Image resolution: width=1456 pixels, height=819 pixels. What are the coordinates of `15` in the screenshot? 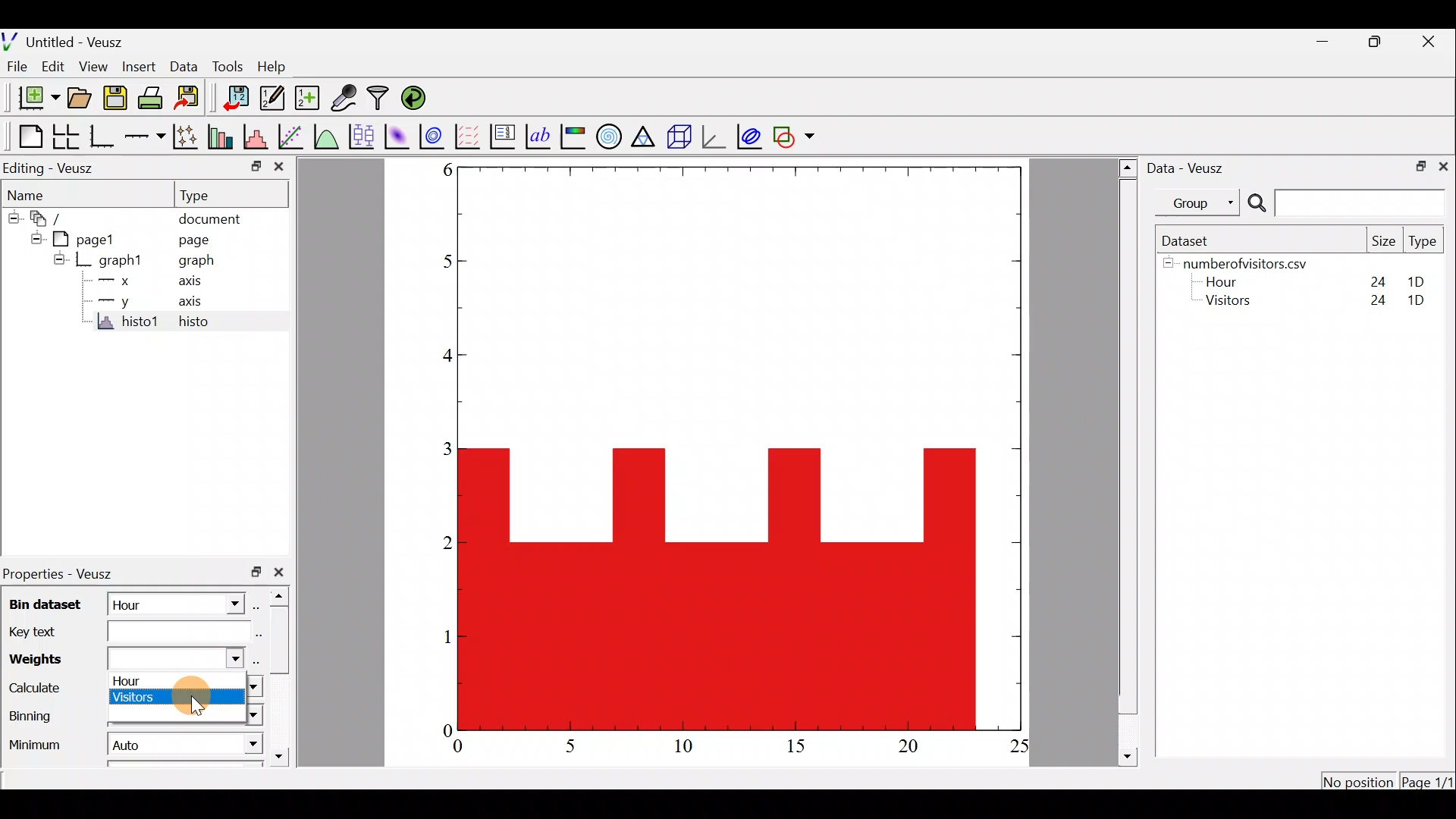 It's located at (802, 747).